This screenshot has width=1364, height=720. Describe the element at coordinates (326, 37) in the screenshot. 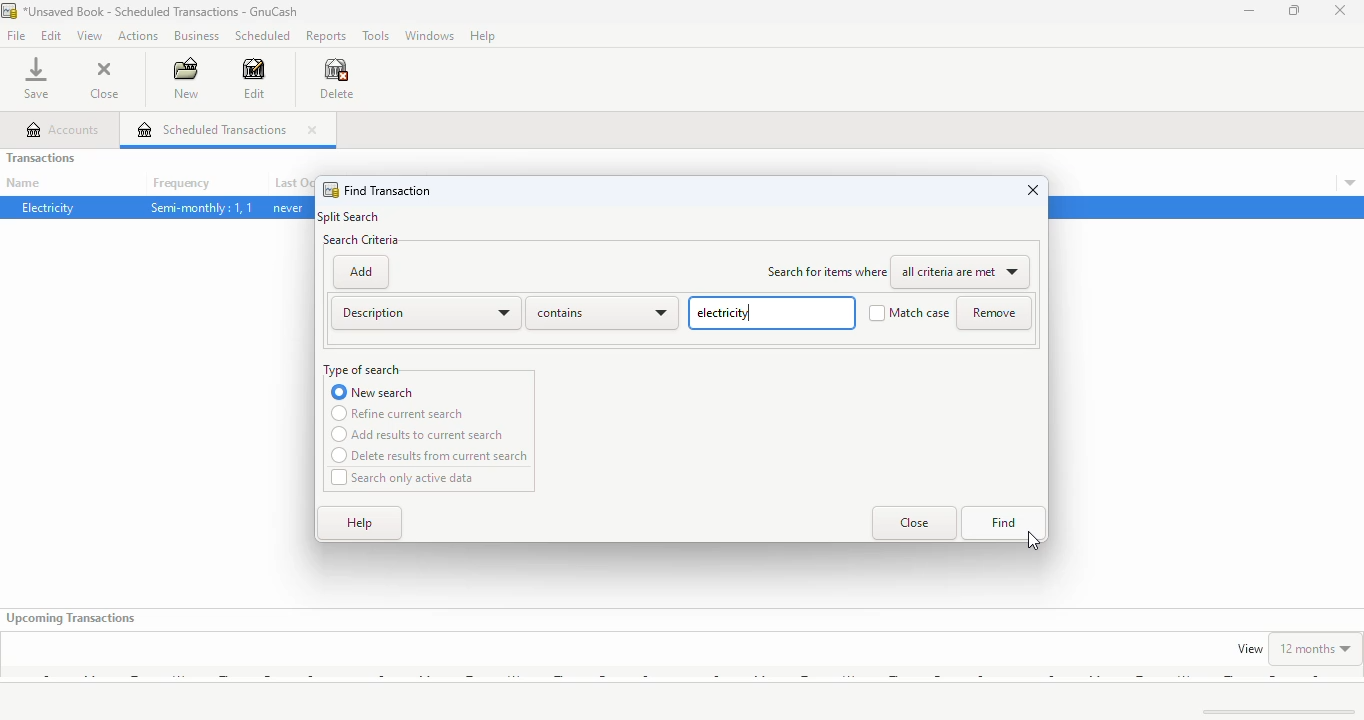

I see `reports` at that location.